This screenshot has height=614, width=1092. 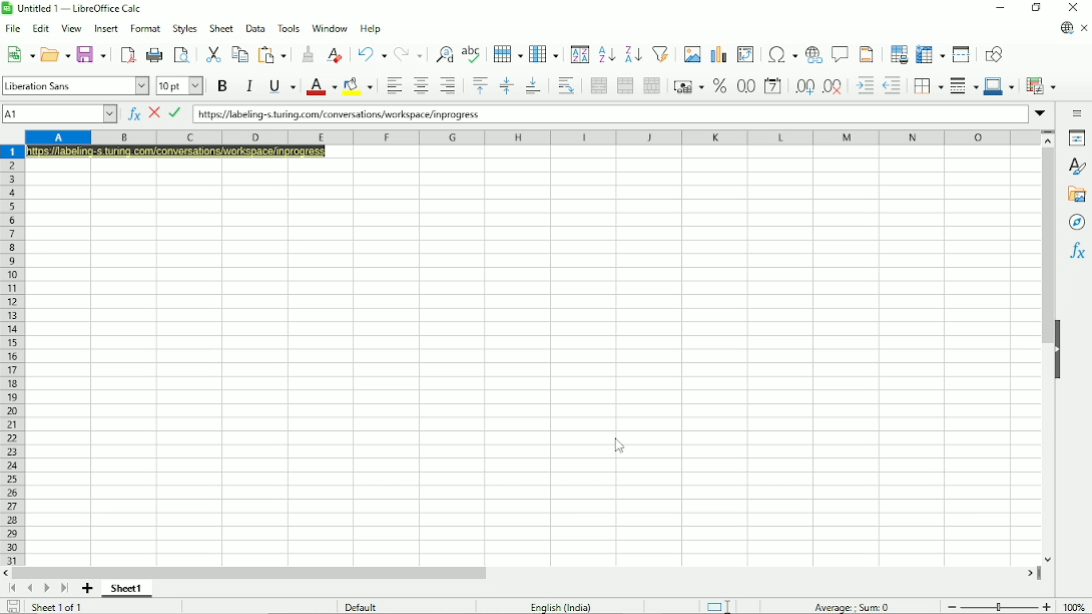 I want to click on Split window, so click(x=962, y=55).